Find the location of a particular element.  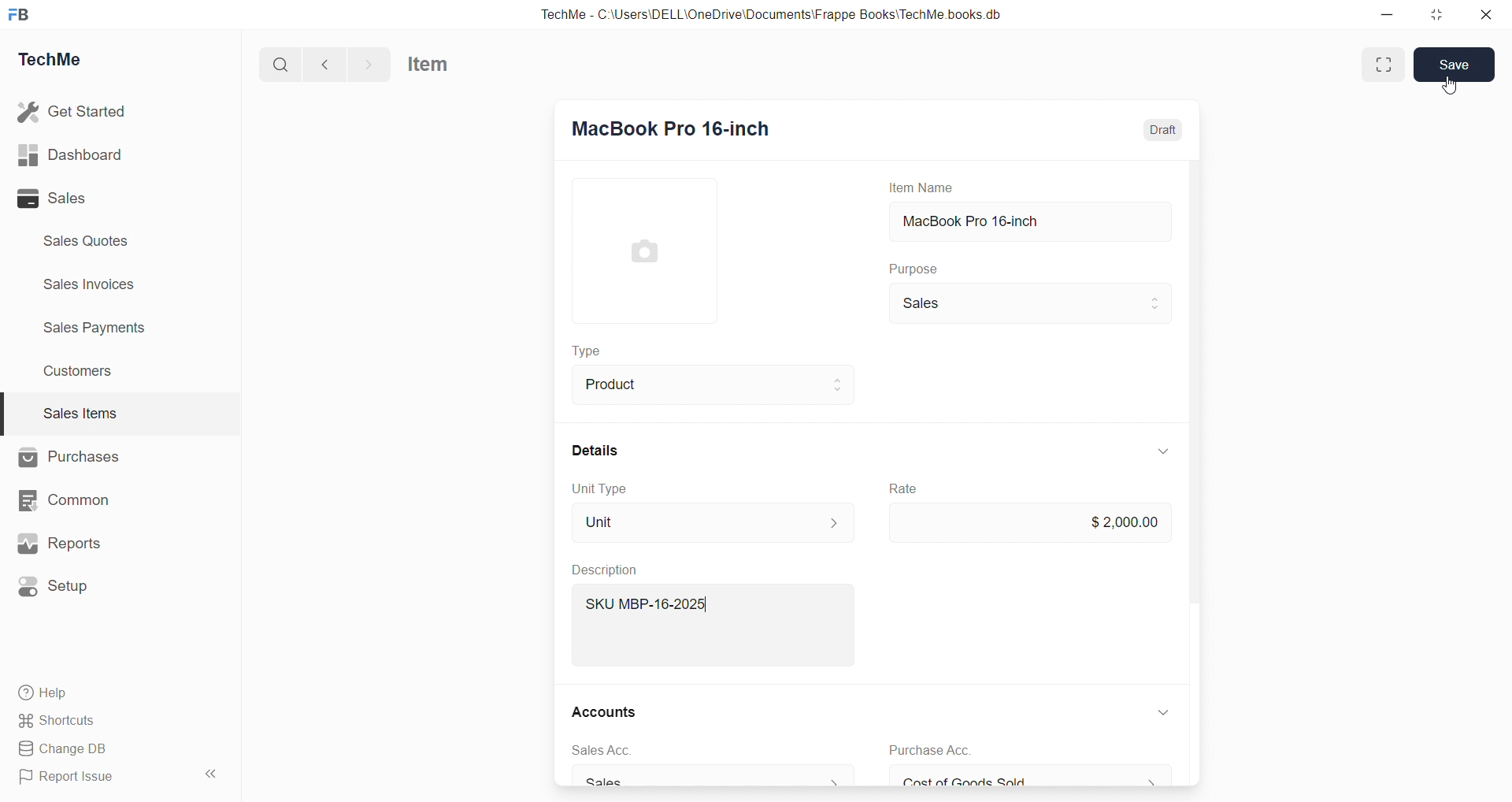

down is located at coordinates (1162, 452).